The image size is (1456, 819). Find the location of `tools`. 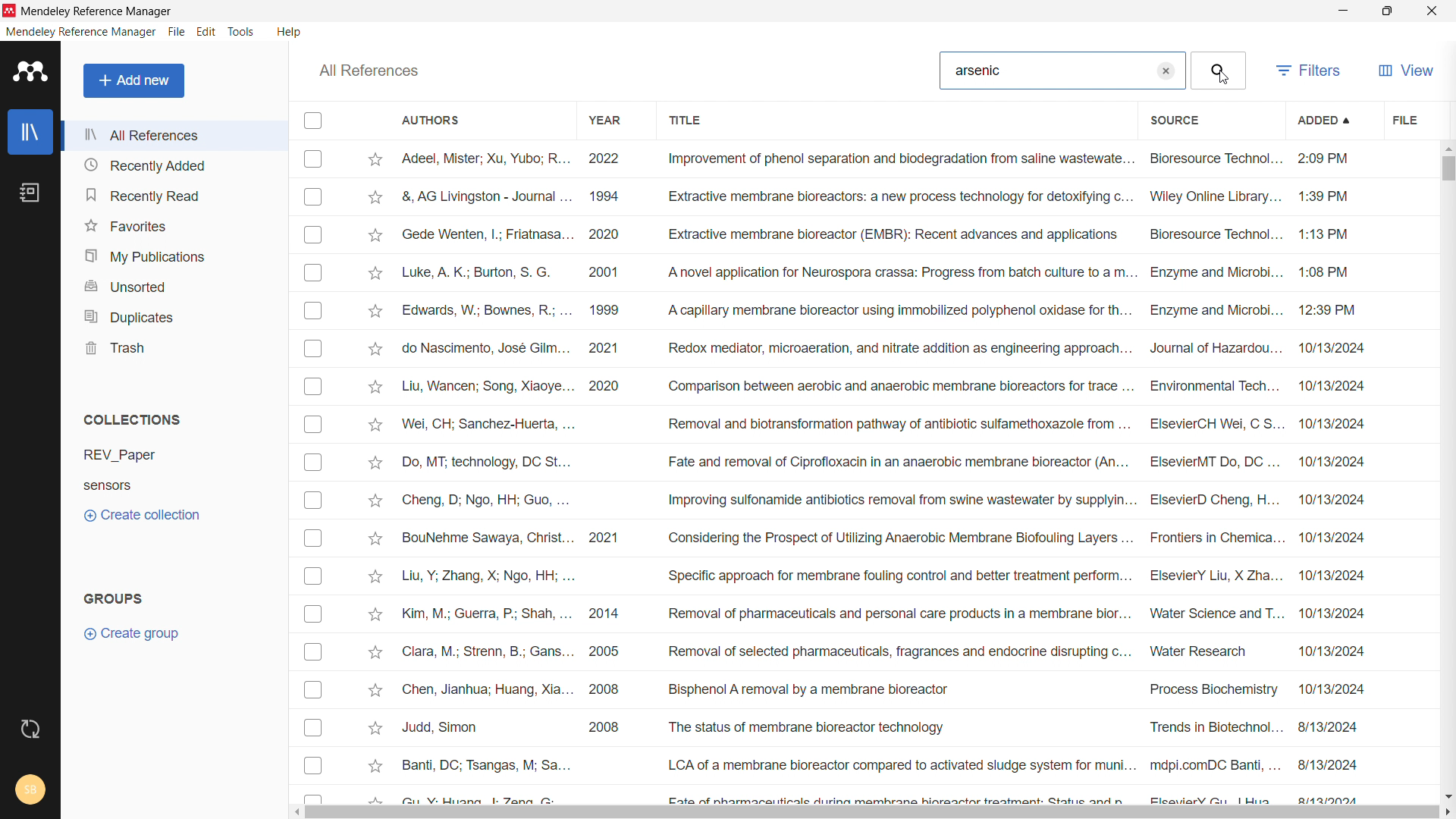

tools is located at coordinates (241, 32).